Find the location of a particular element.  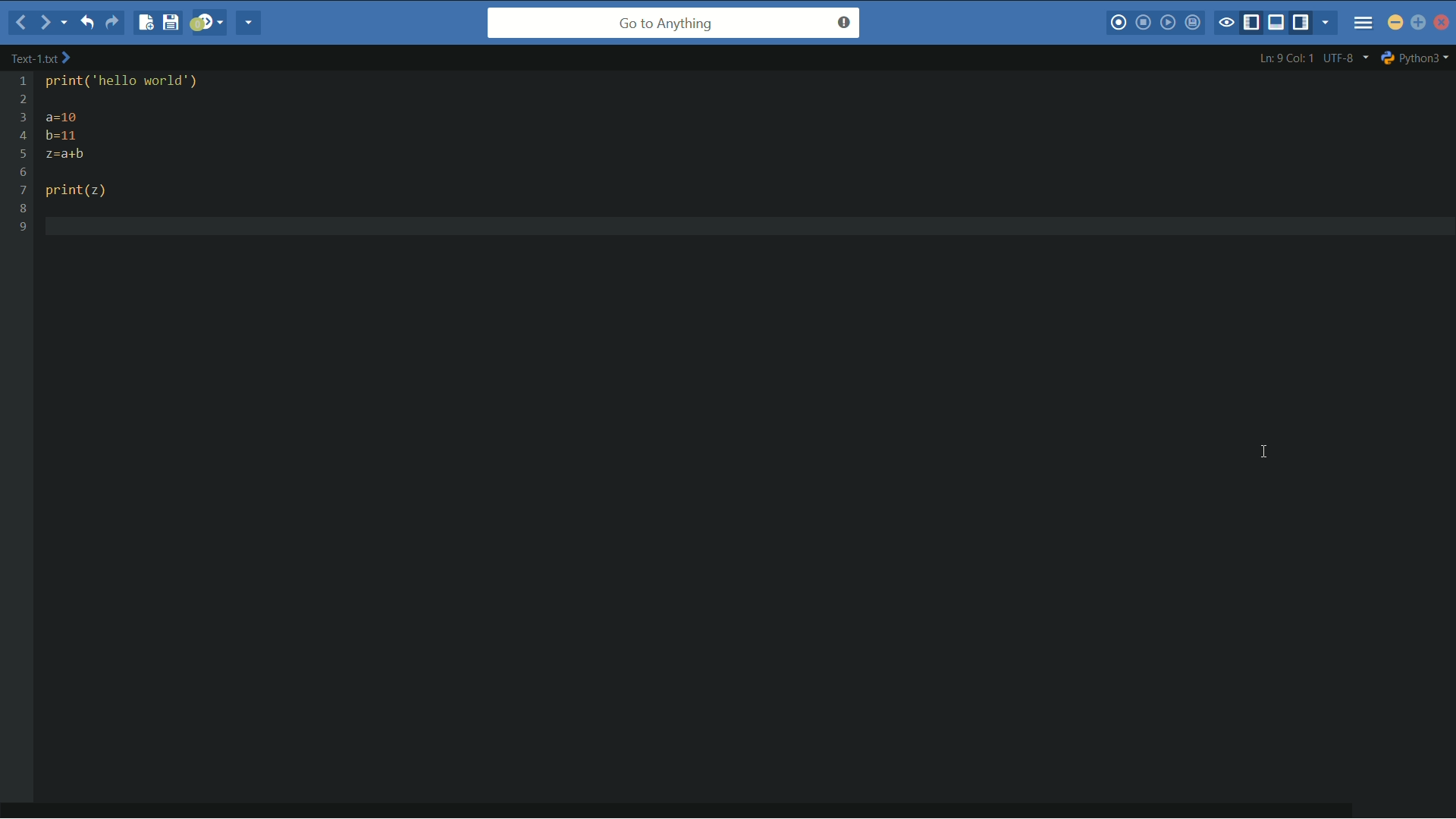

stop macro is located at coordinates (1145, 24).